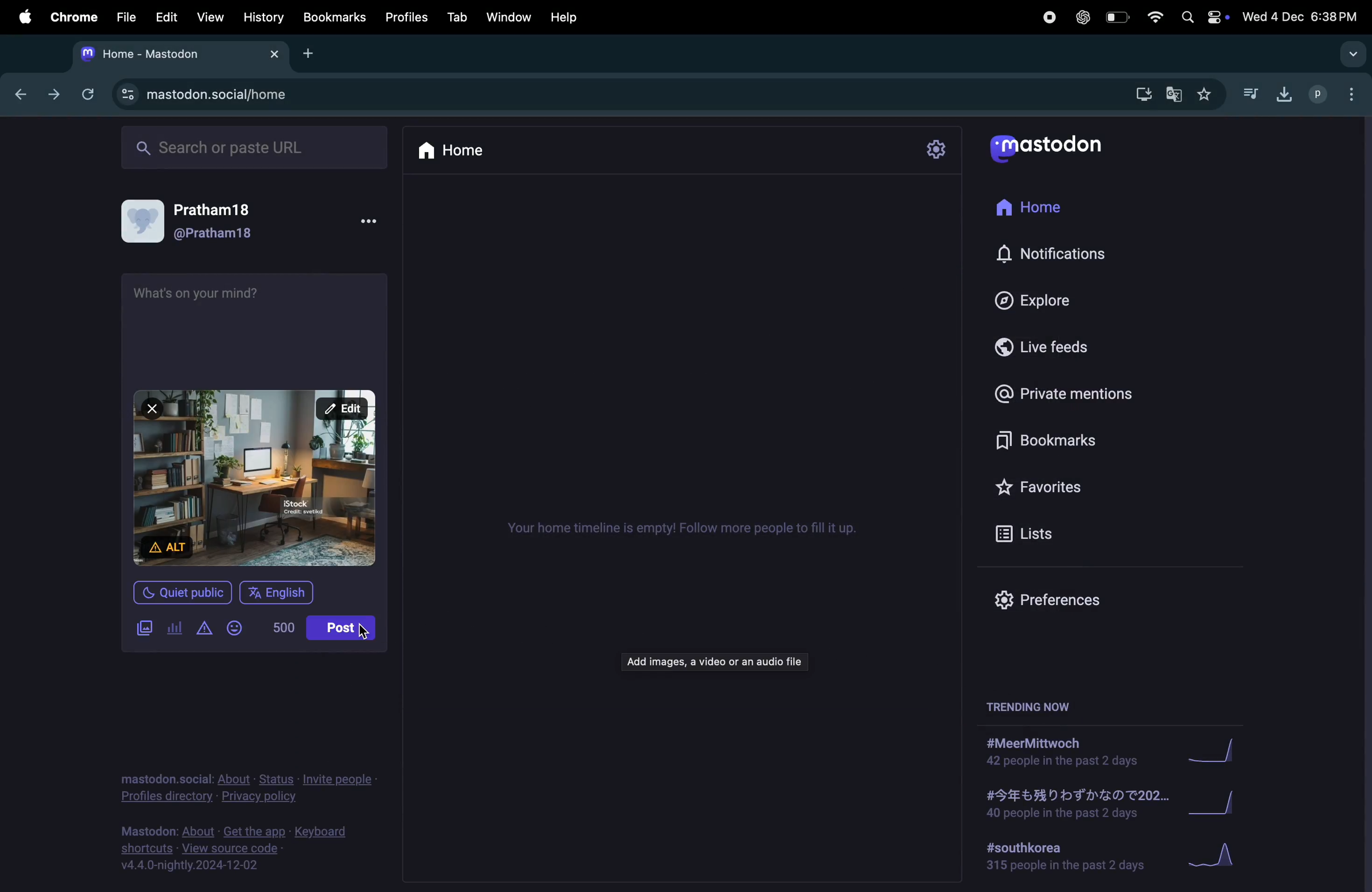 The height and width of the screenshot is (892, 1372). Describe the element at coordinates (1071, 805) in the screenshot. I see `japanese` at that location.